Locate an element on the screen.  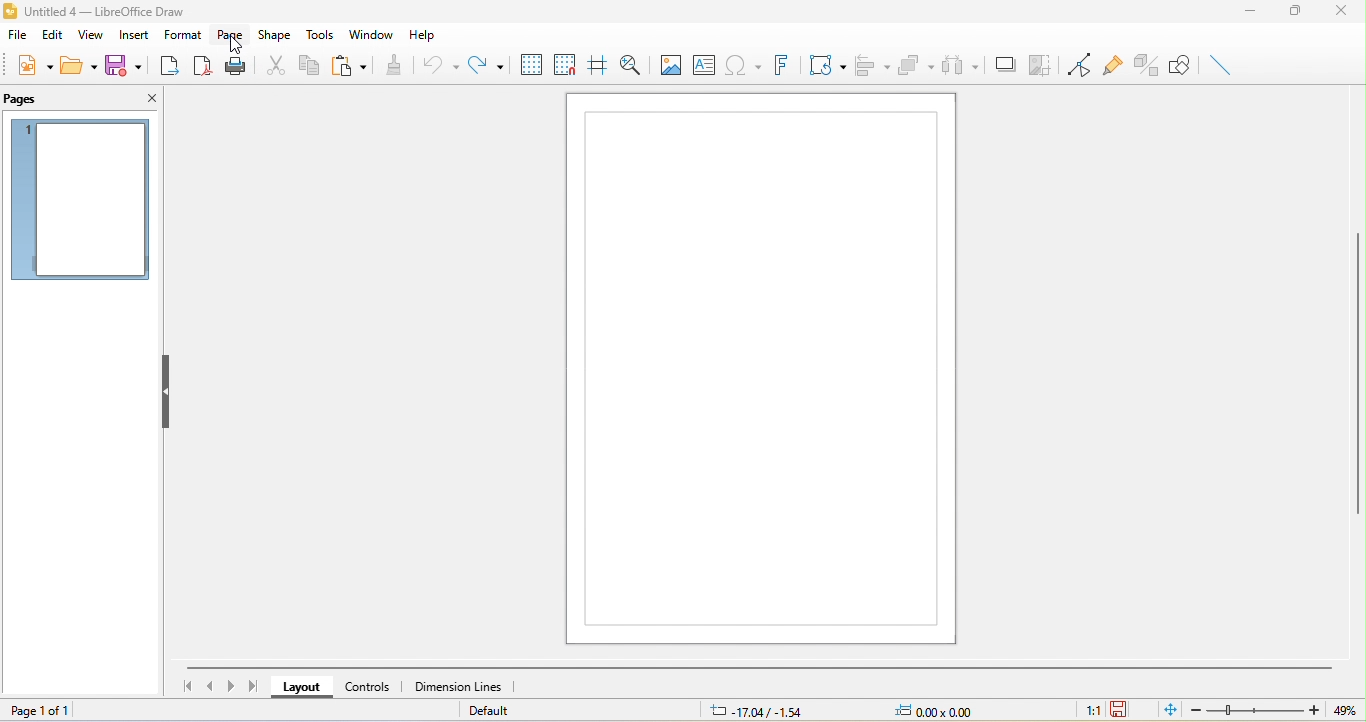
last page is located at coordinates (256, 690).